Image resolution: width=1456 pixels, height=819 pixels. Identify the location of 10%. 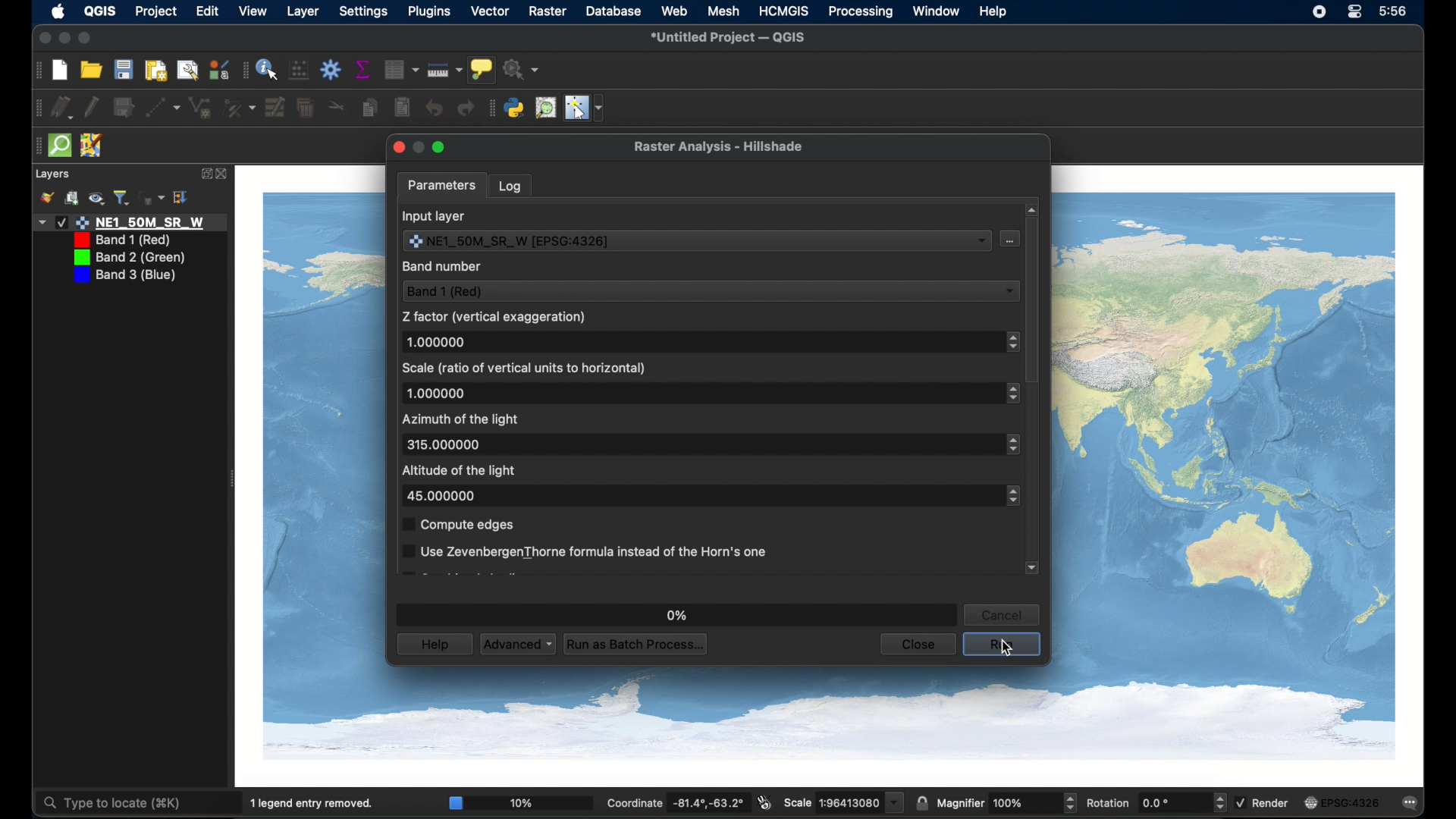
(519, 802).